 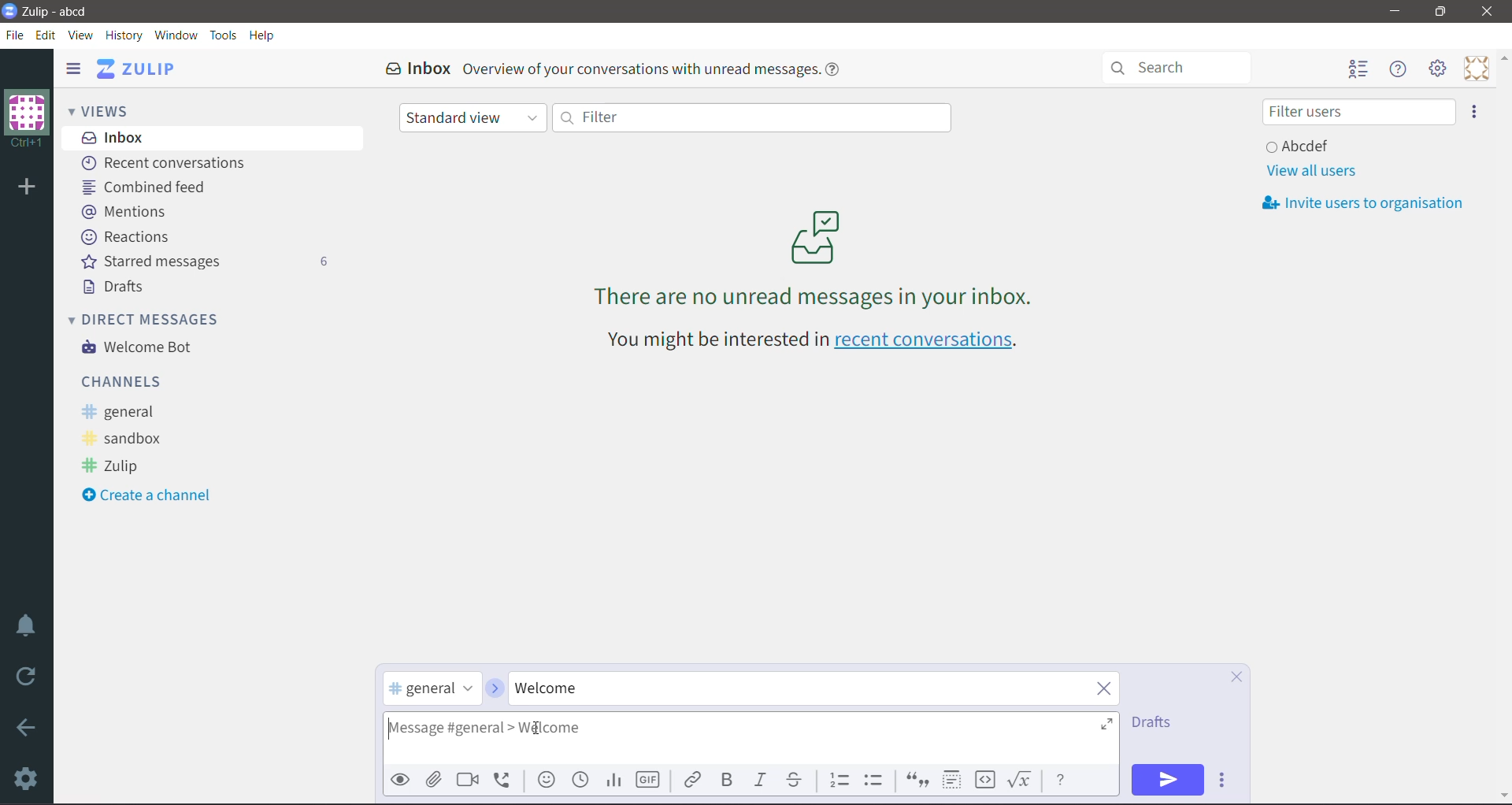 I want to click on Zulip, so click(x=115, y=467).